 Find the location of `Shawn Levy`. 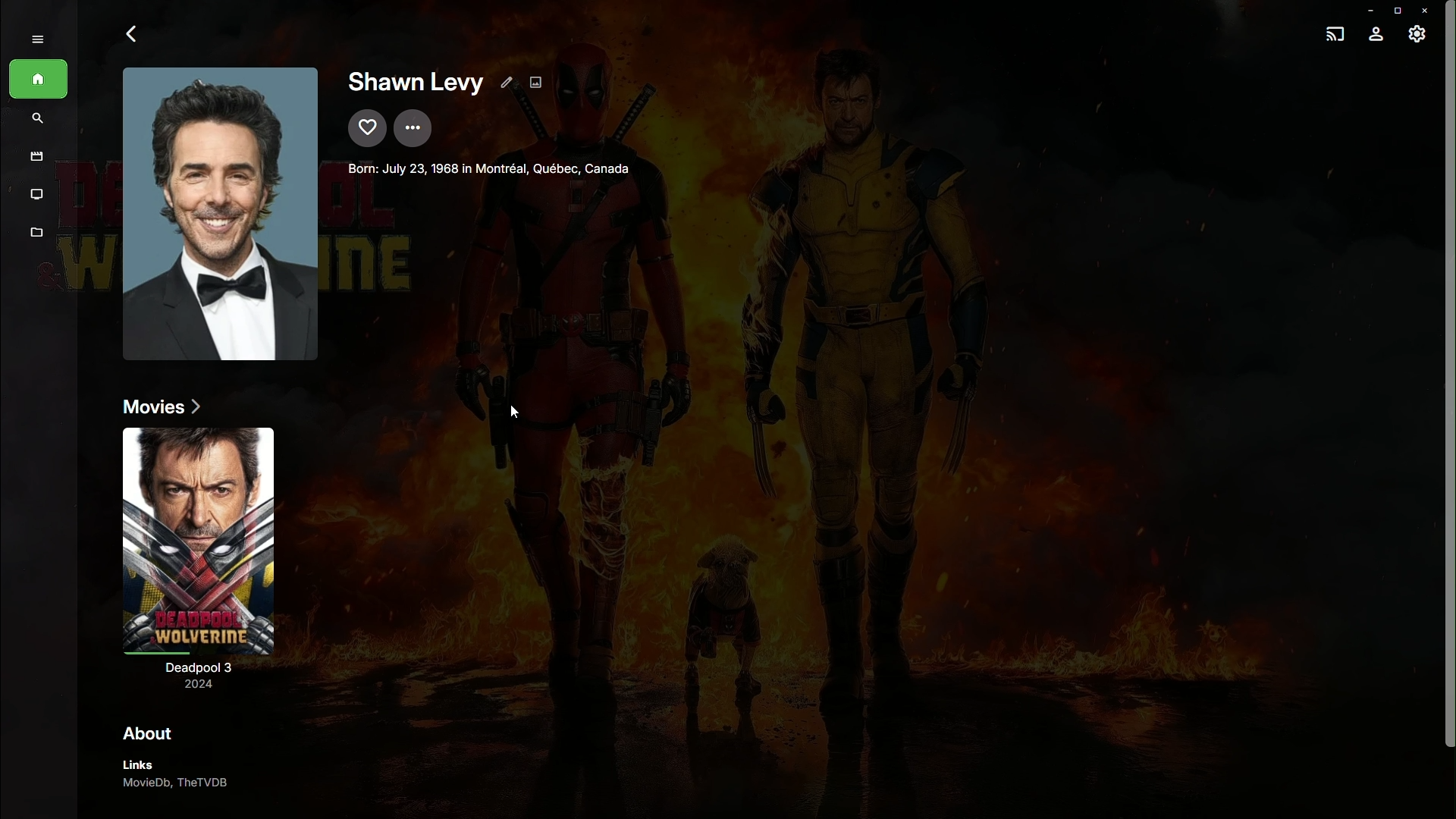

Shawn Levy is located at coordinates (416, 85).